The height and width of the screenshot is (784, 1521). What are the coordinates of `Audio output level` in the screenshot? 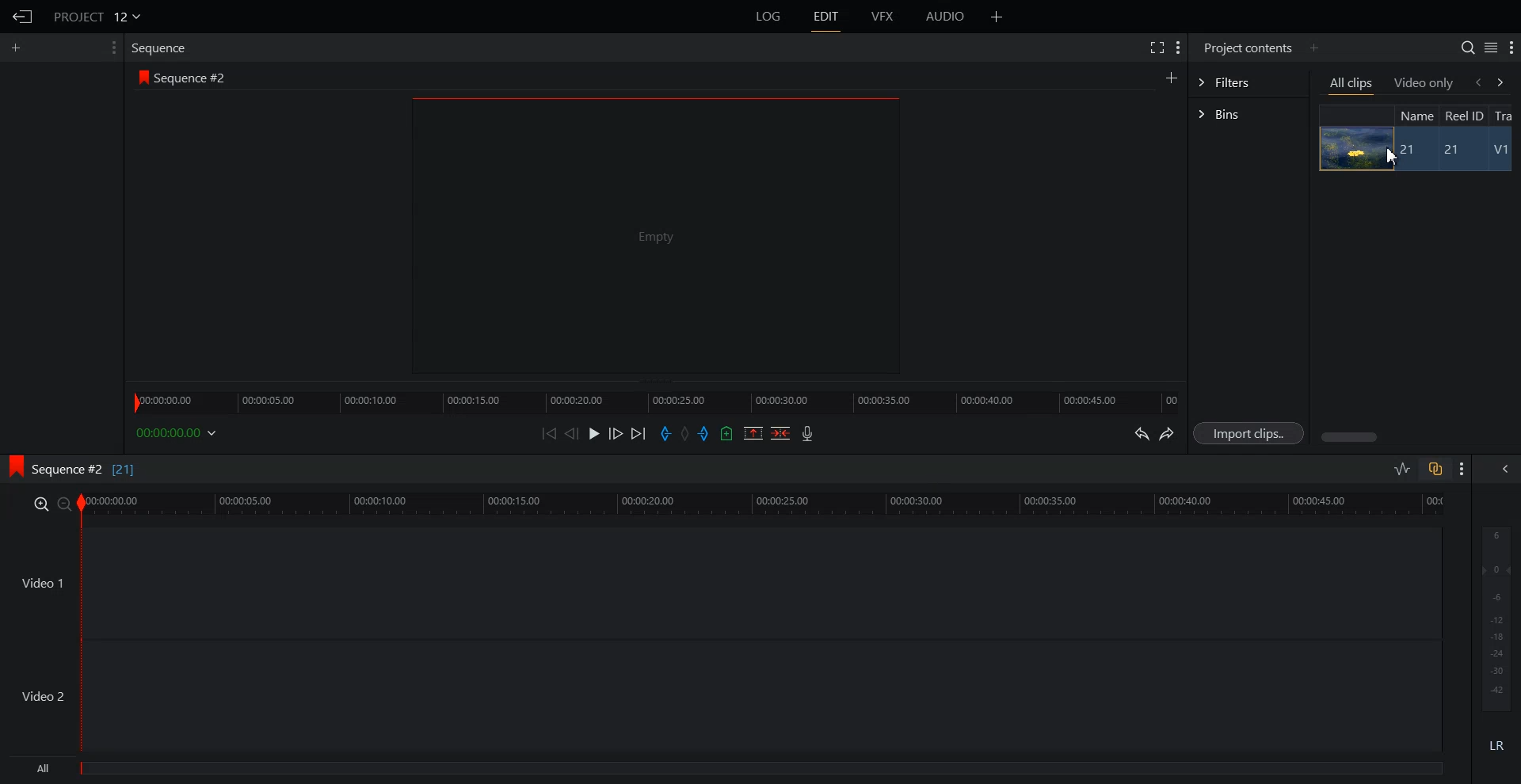 It's located at (1493, 616).